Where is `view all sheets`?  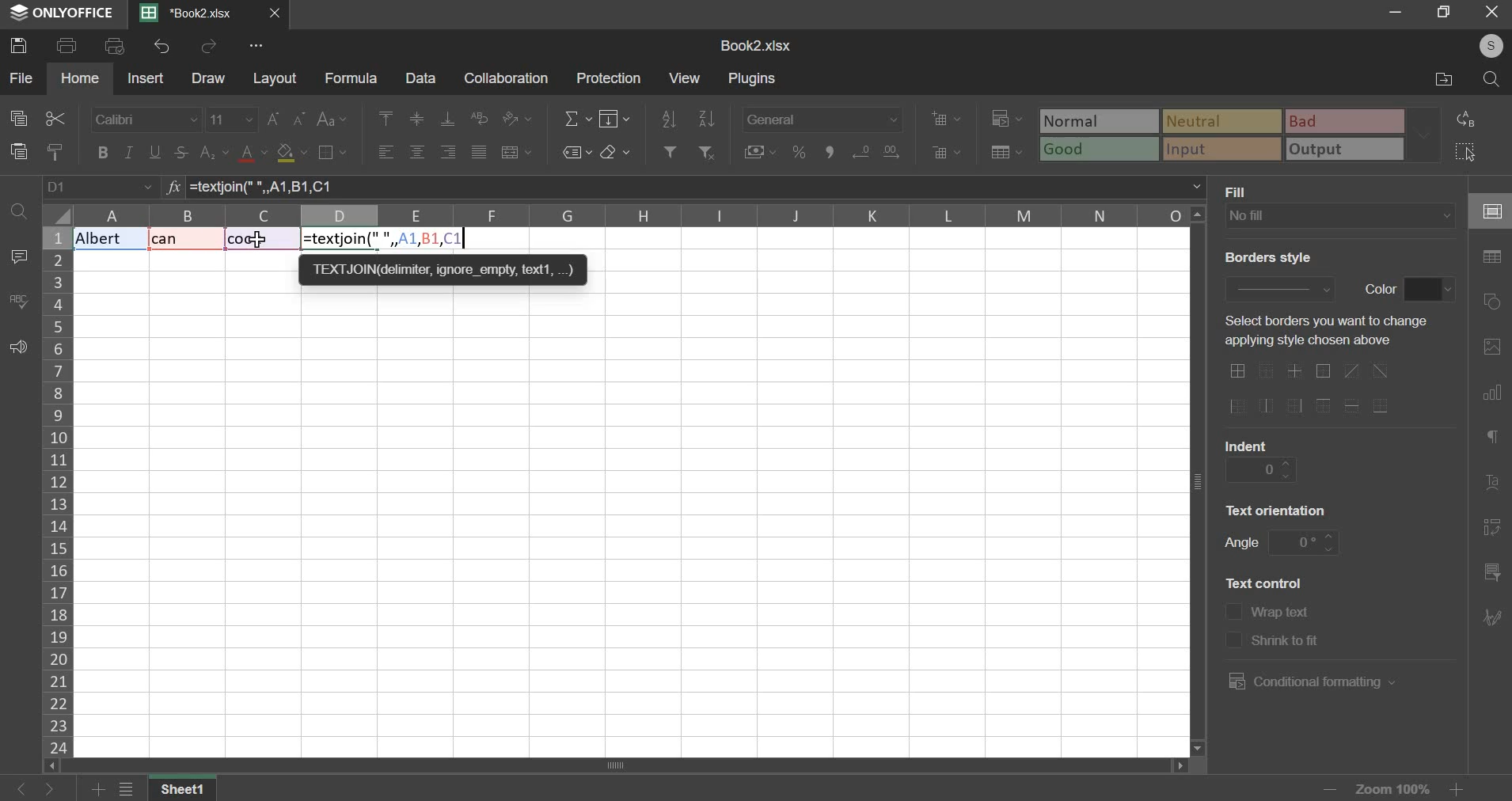 view all sheets is located at coordinates (135, 790).